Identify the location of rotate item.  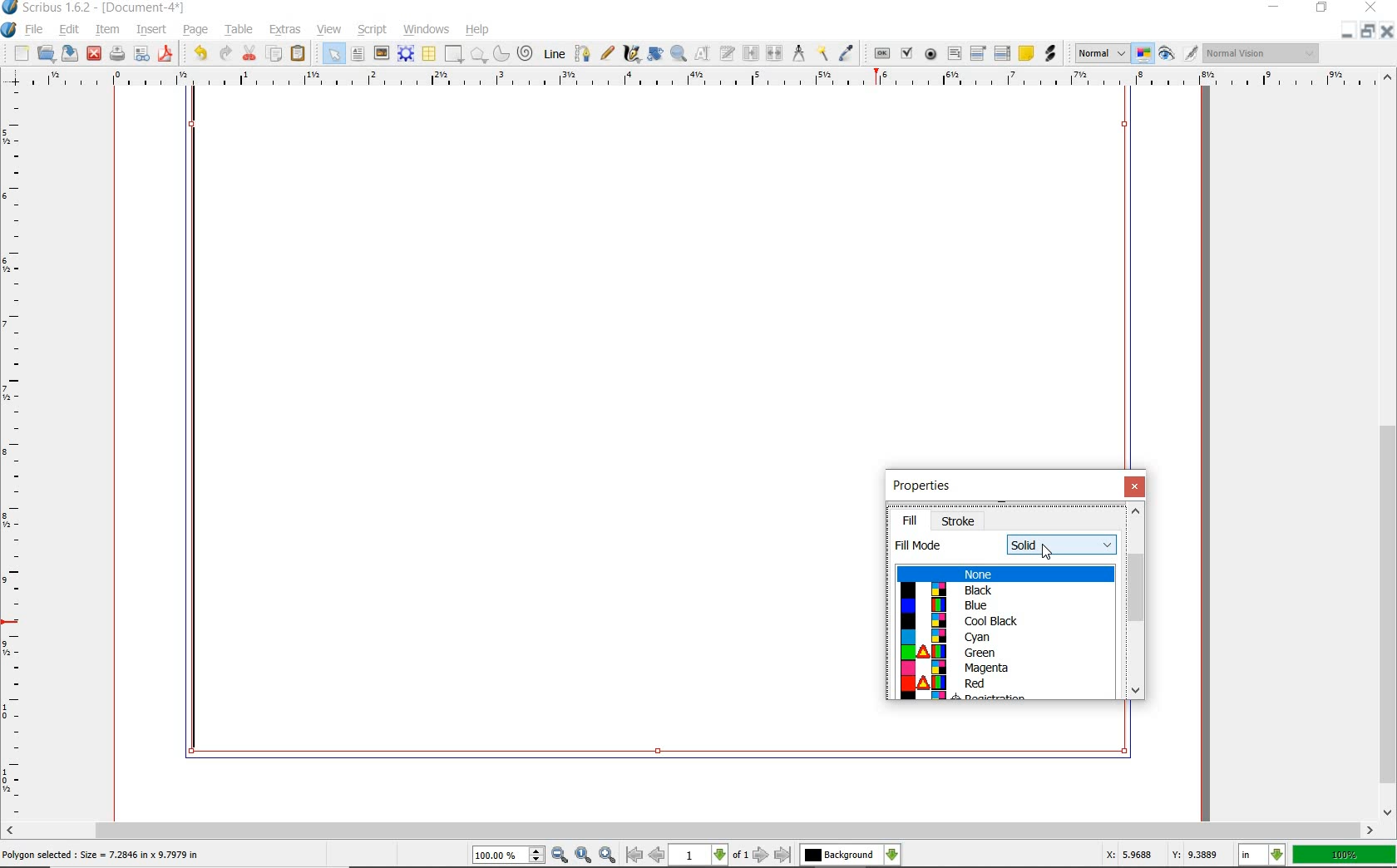
(654, 55).